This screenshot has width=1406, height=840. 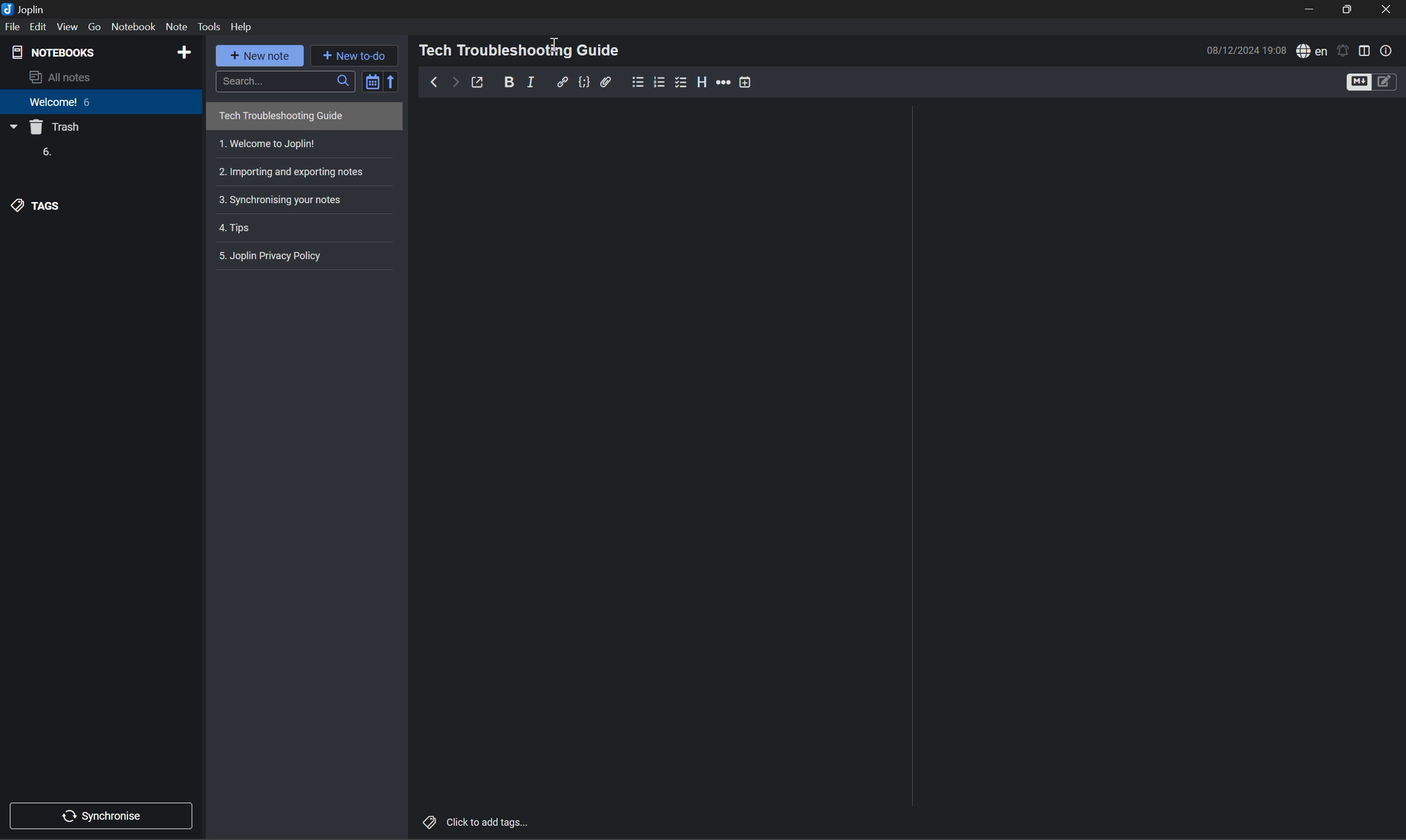 I want to click on 1. Welcome to Joplin!, so click(x=267, y=144).